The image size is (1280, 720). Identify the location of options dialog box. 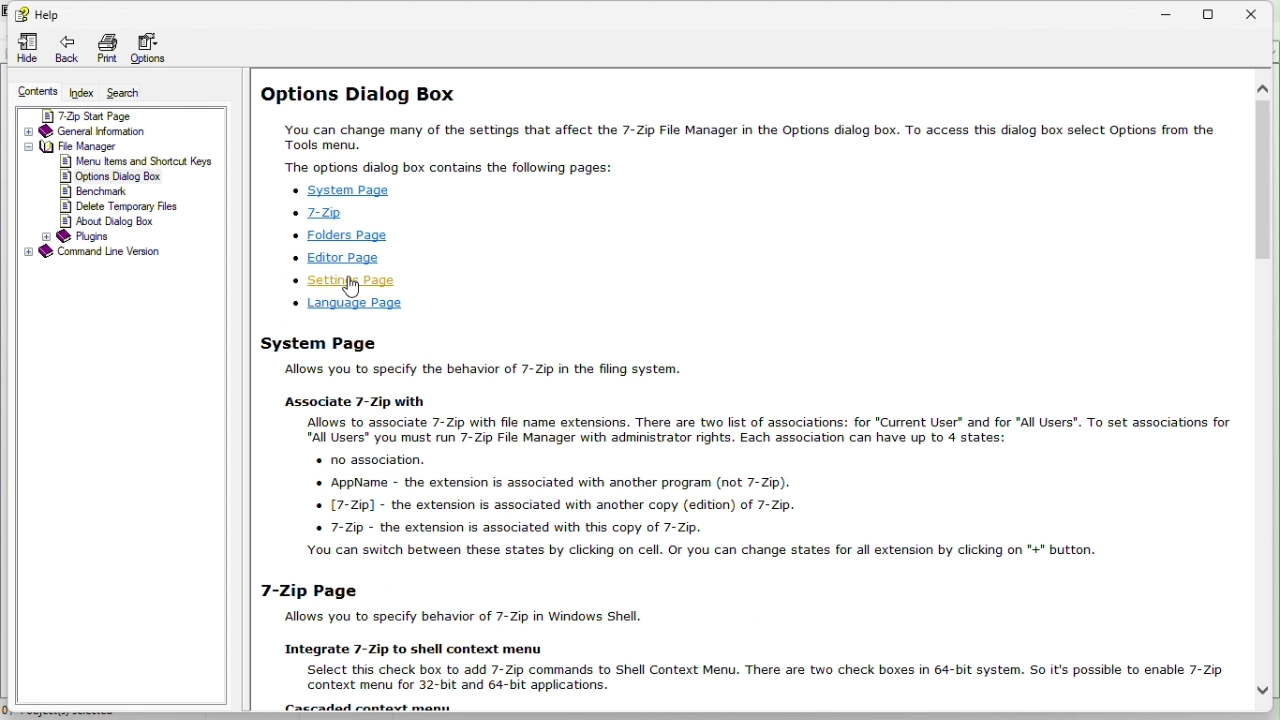
(111, 177).